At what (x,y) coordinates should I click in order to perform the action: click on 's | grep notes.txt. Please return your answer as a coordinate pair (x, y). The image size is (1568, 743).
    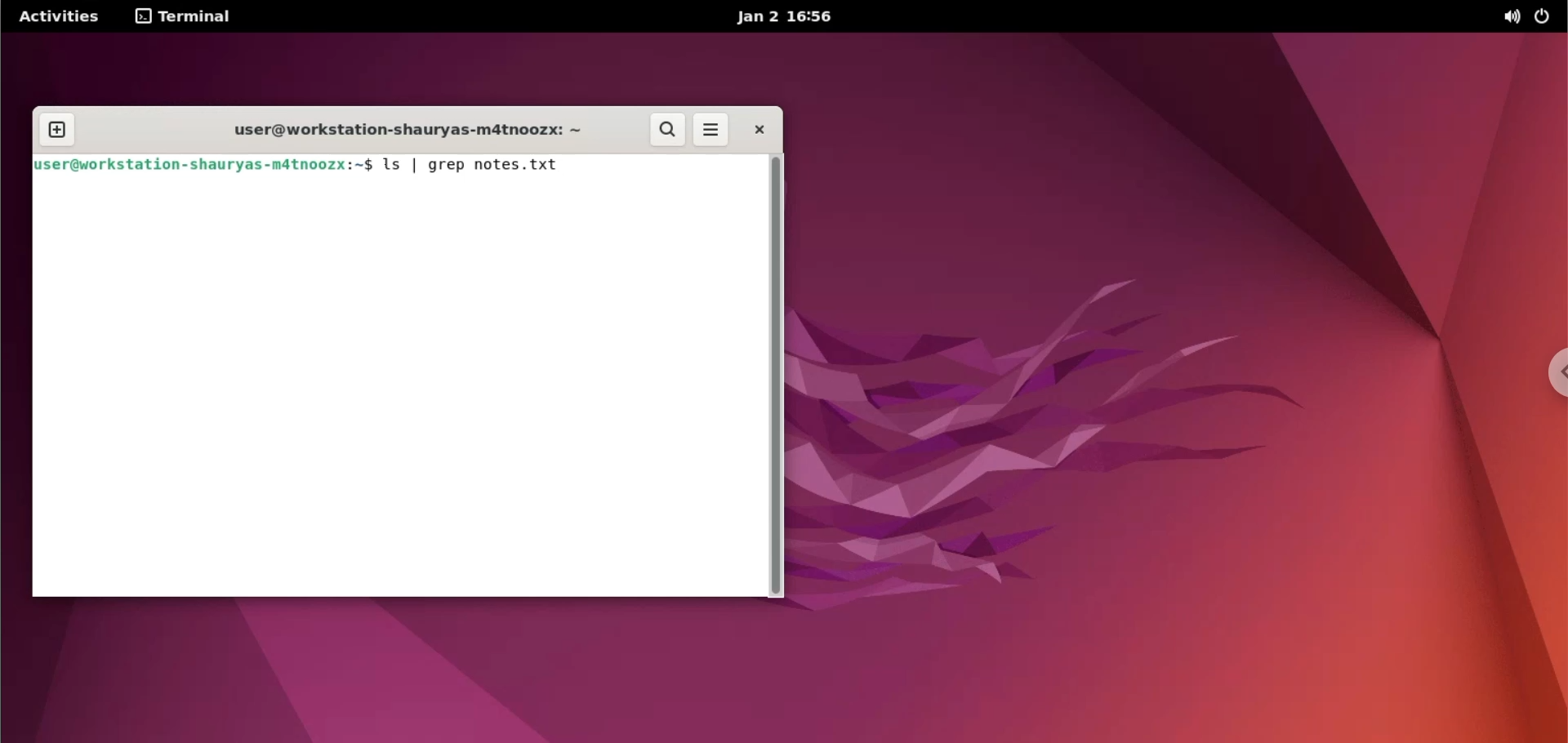
    Looking at the image, I should click on (486, 167).